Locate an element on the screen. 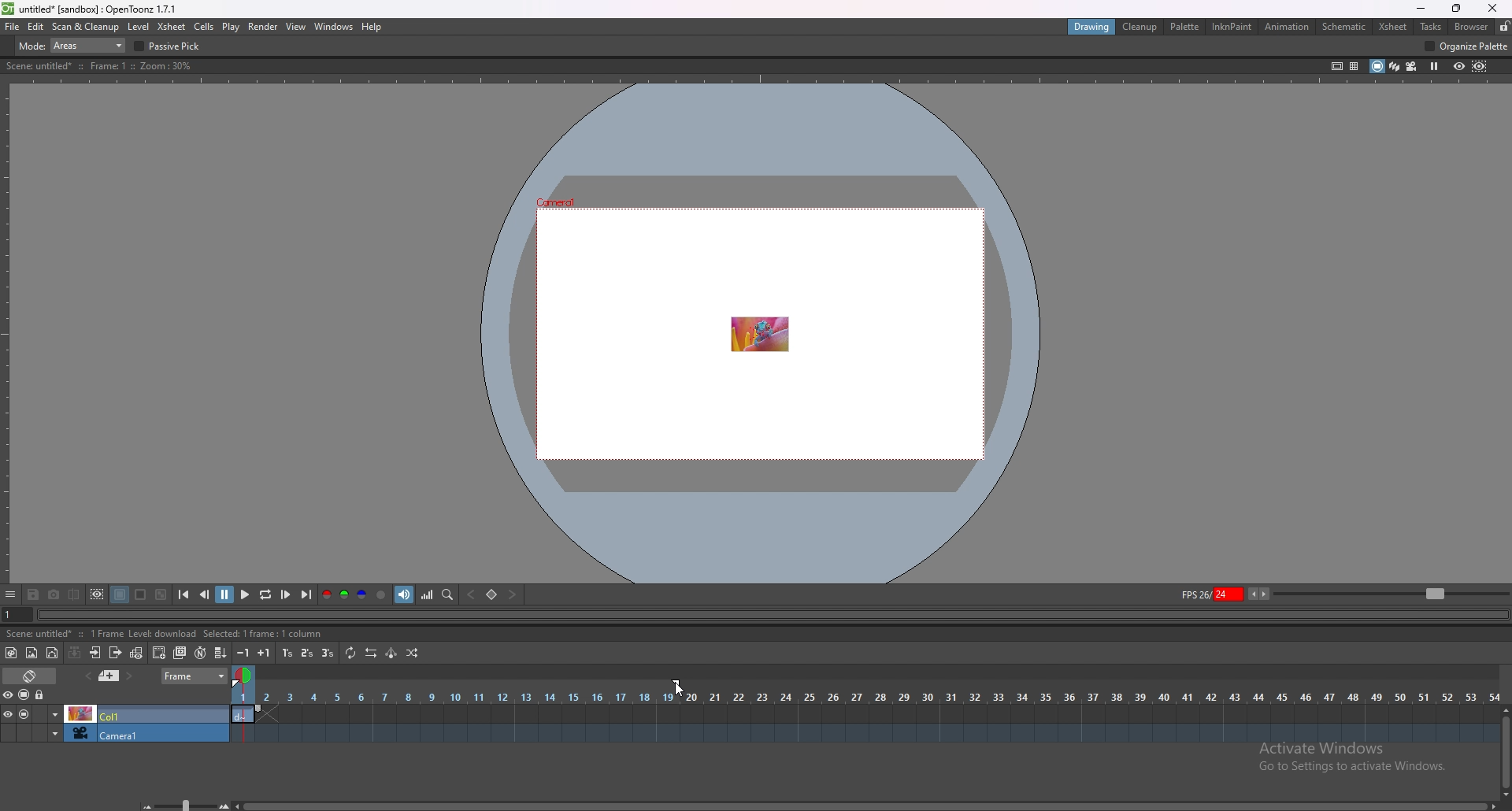  minimize is located at coordinates (1421, 9).